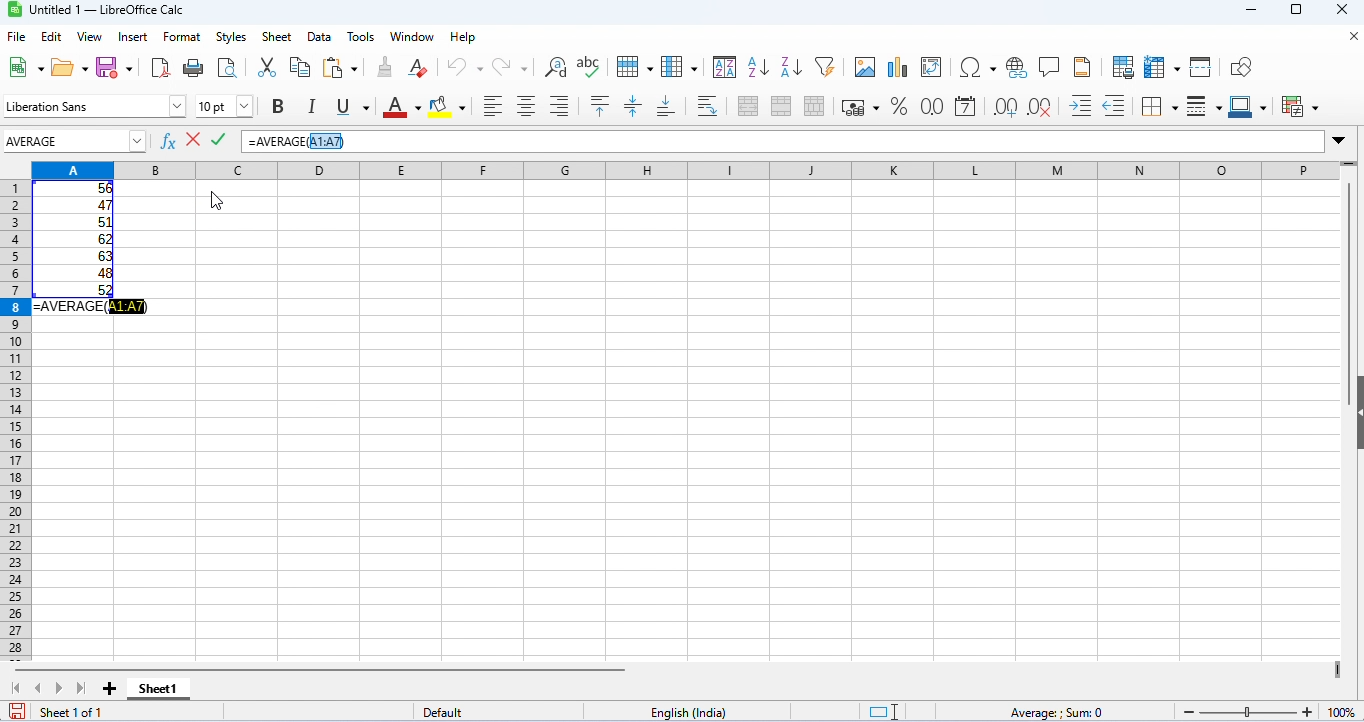  I want to click on sort asending, so click(757, 66).